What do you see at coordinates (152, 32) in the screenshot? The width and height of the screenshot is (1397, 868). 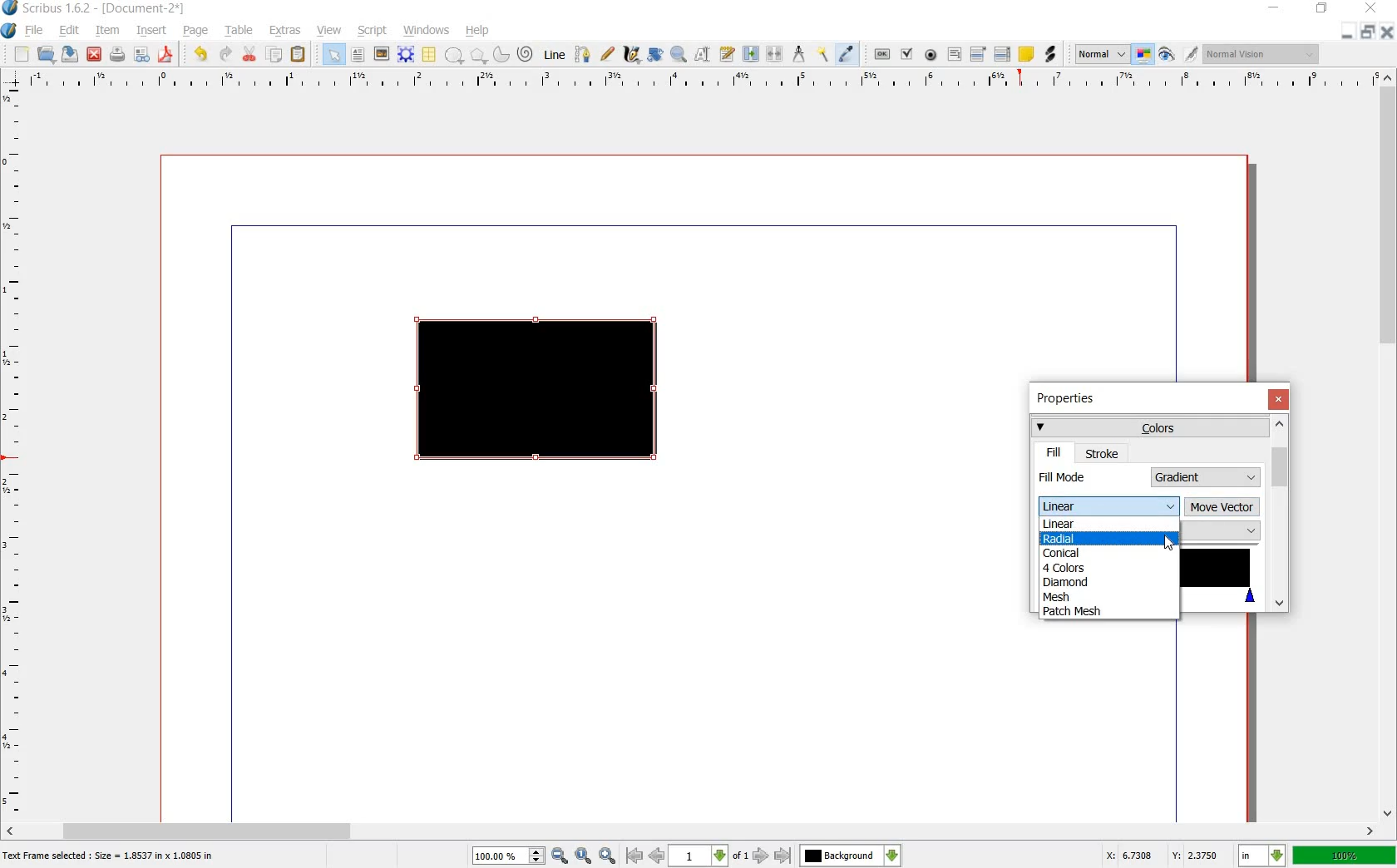 I see `insert` at bounding box center [152, 32].